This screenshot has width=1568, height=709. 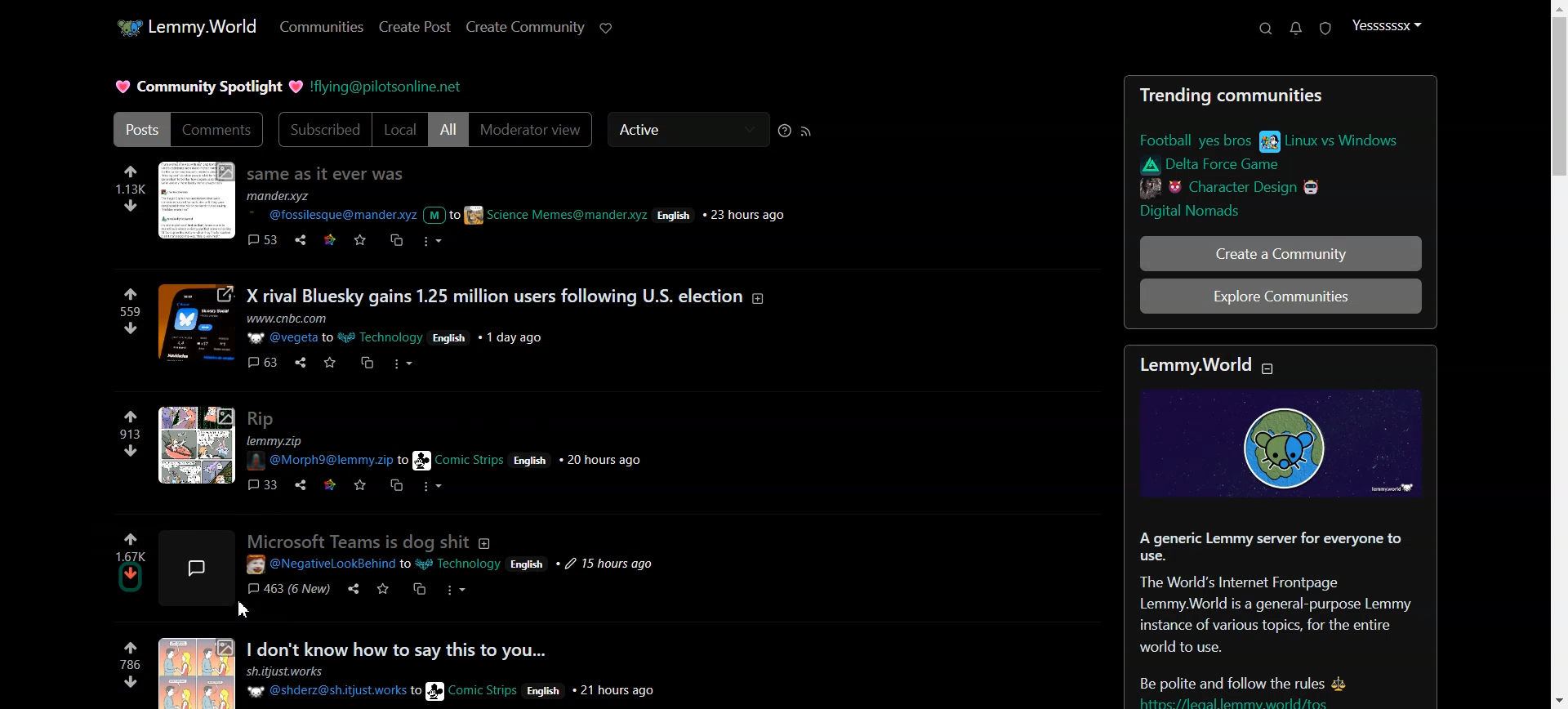 I want to click on text, so click(x=1217, y=365).